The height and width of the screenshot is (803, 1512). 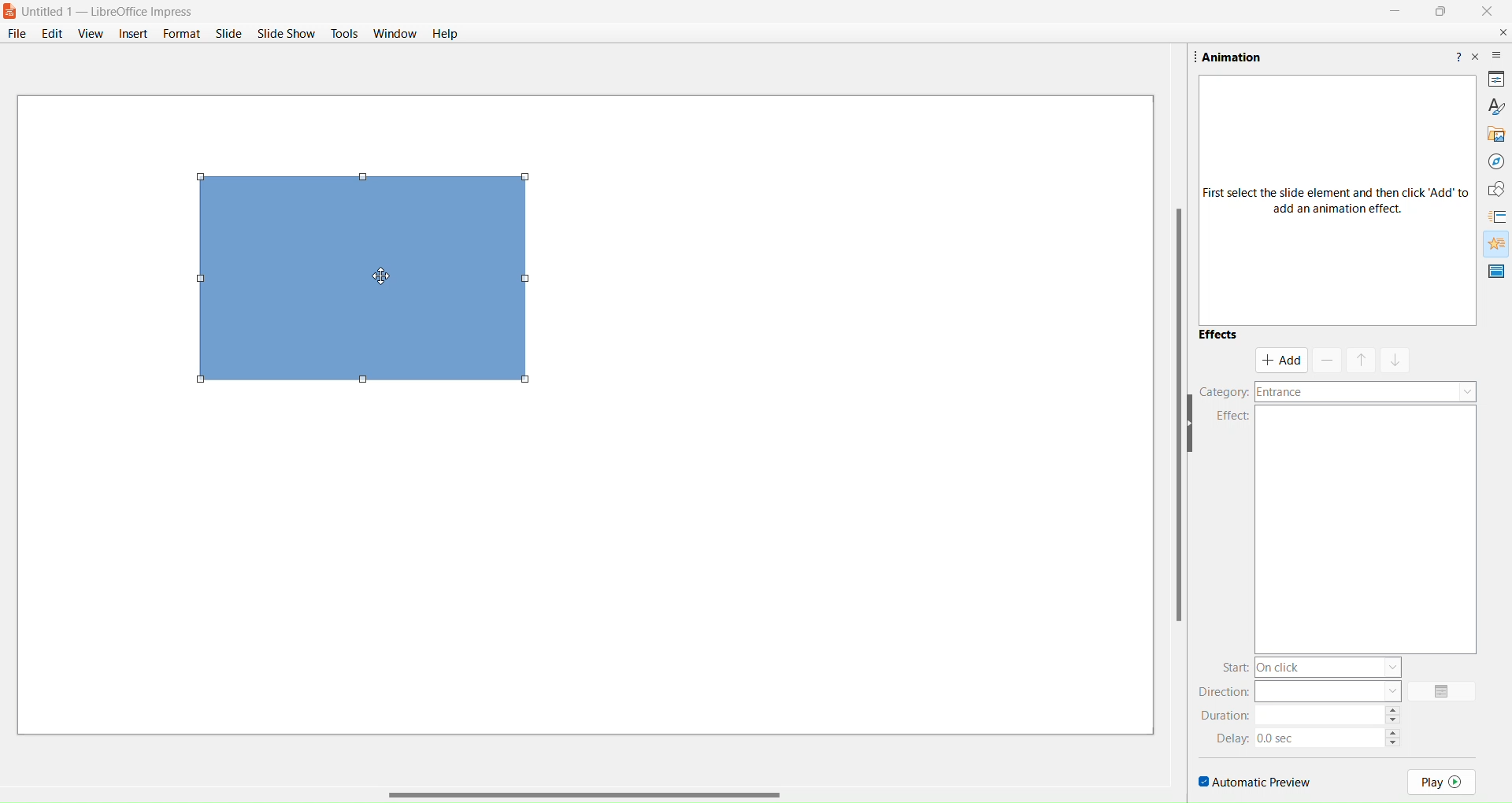 What do you see at coordinates (1395, 713) in the screenshot?
I see `increase/decrease` at bounding box center [1395, 713].